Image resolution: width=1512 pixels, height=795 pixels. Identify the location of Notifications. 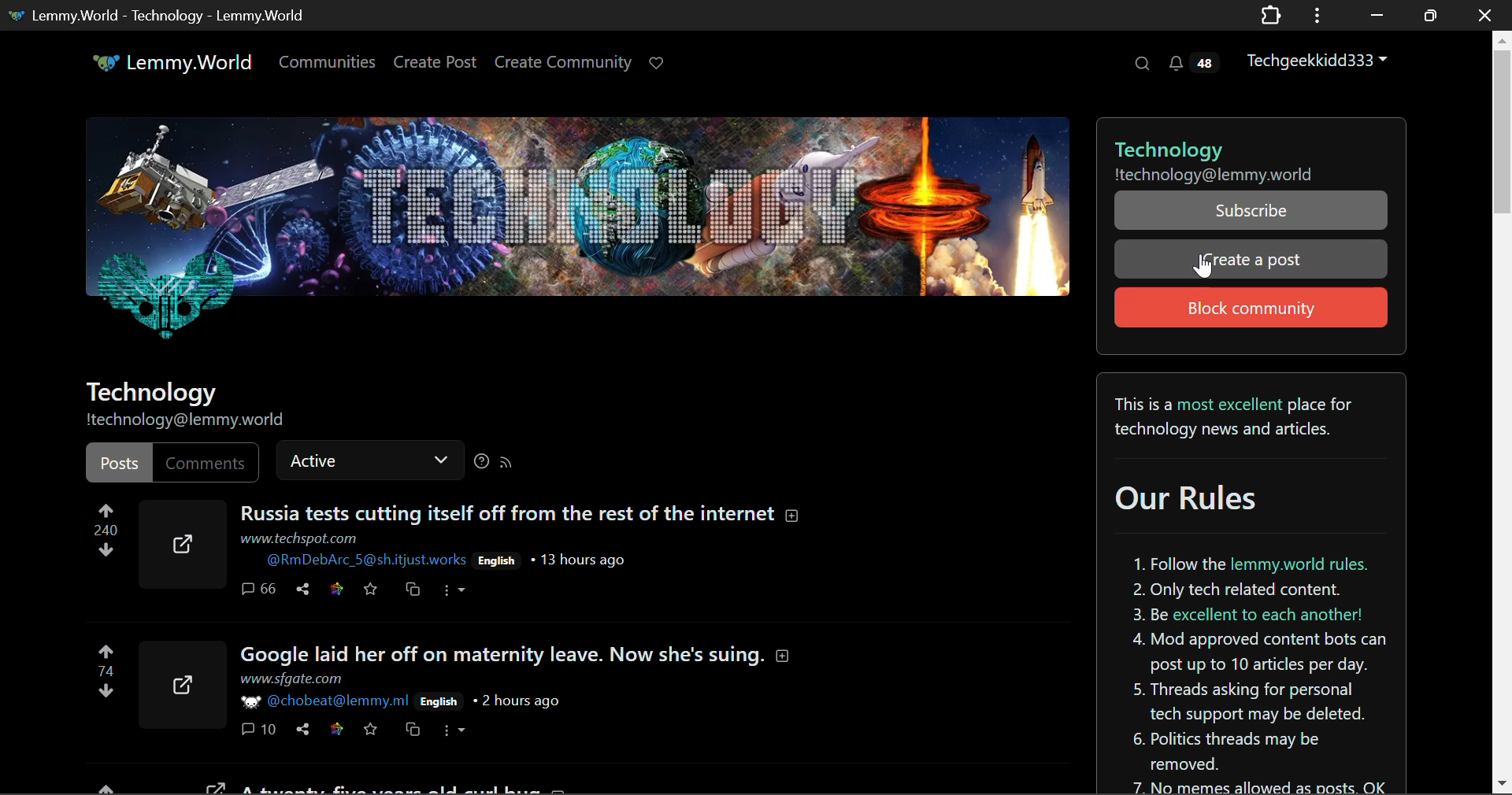
(1192, 63).